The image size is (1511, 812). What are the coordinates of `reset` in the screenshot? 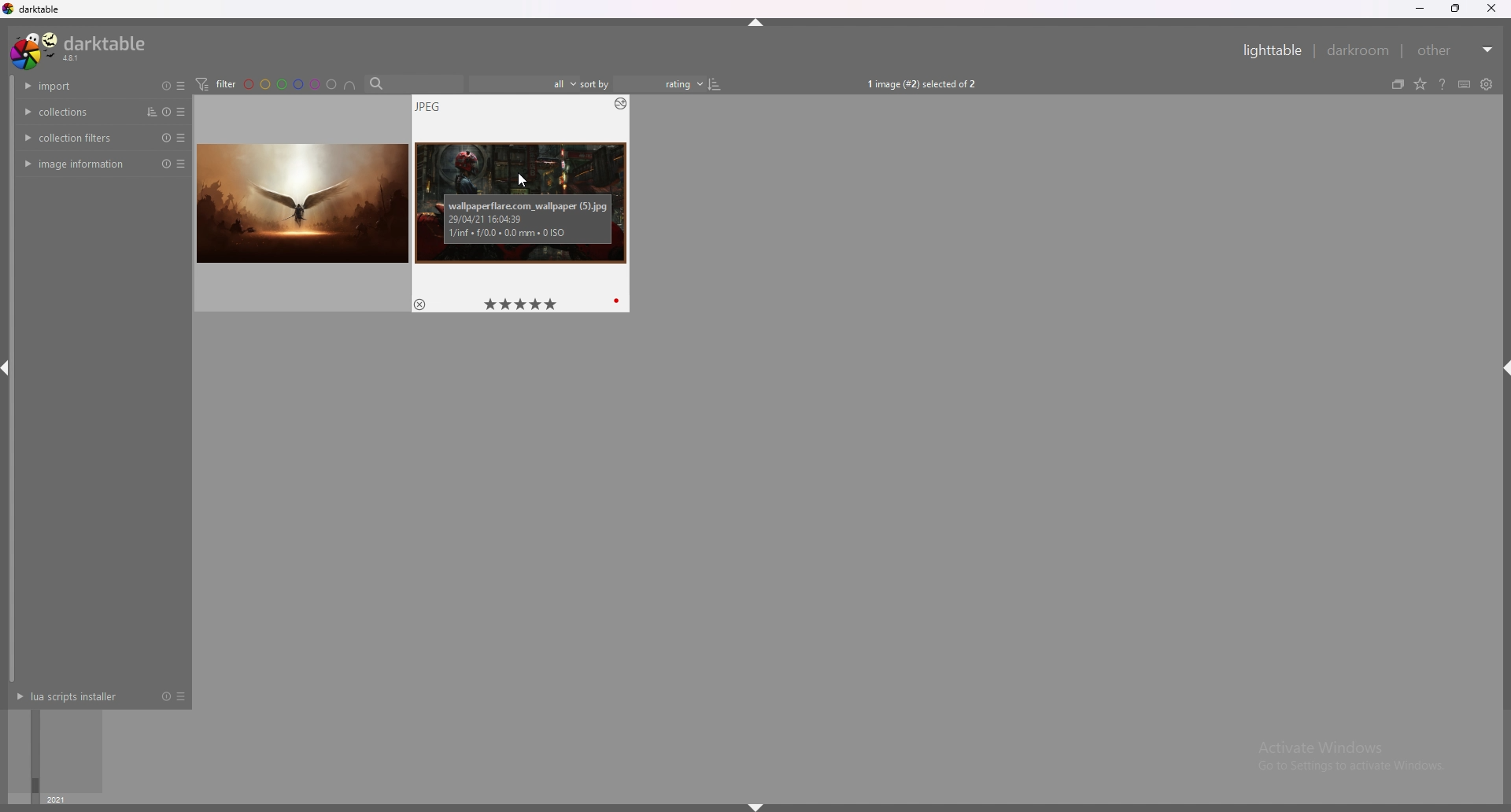 It's located at (166, 164).